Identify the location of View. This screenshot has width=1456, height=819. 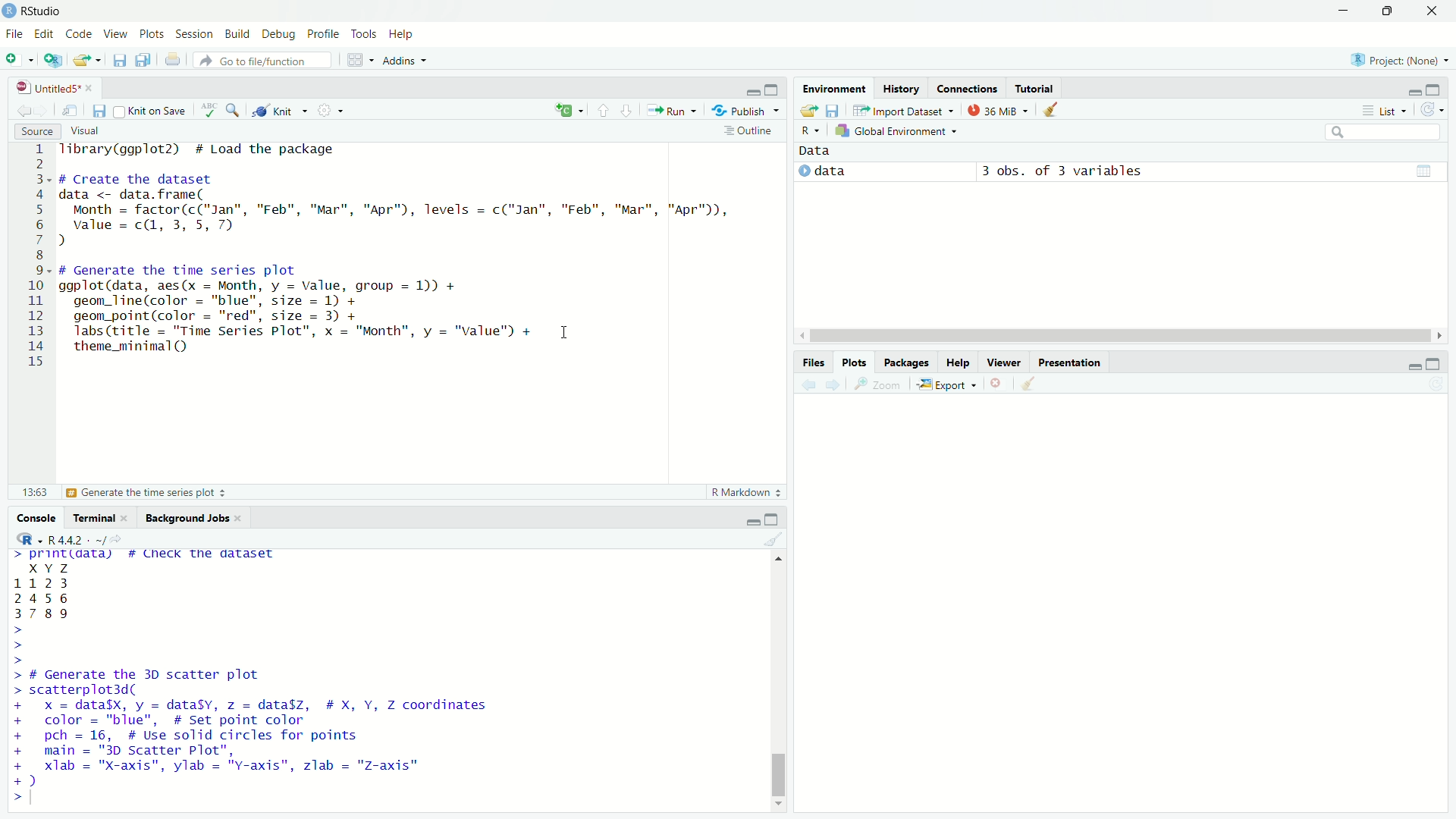
(115, 33).